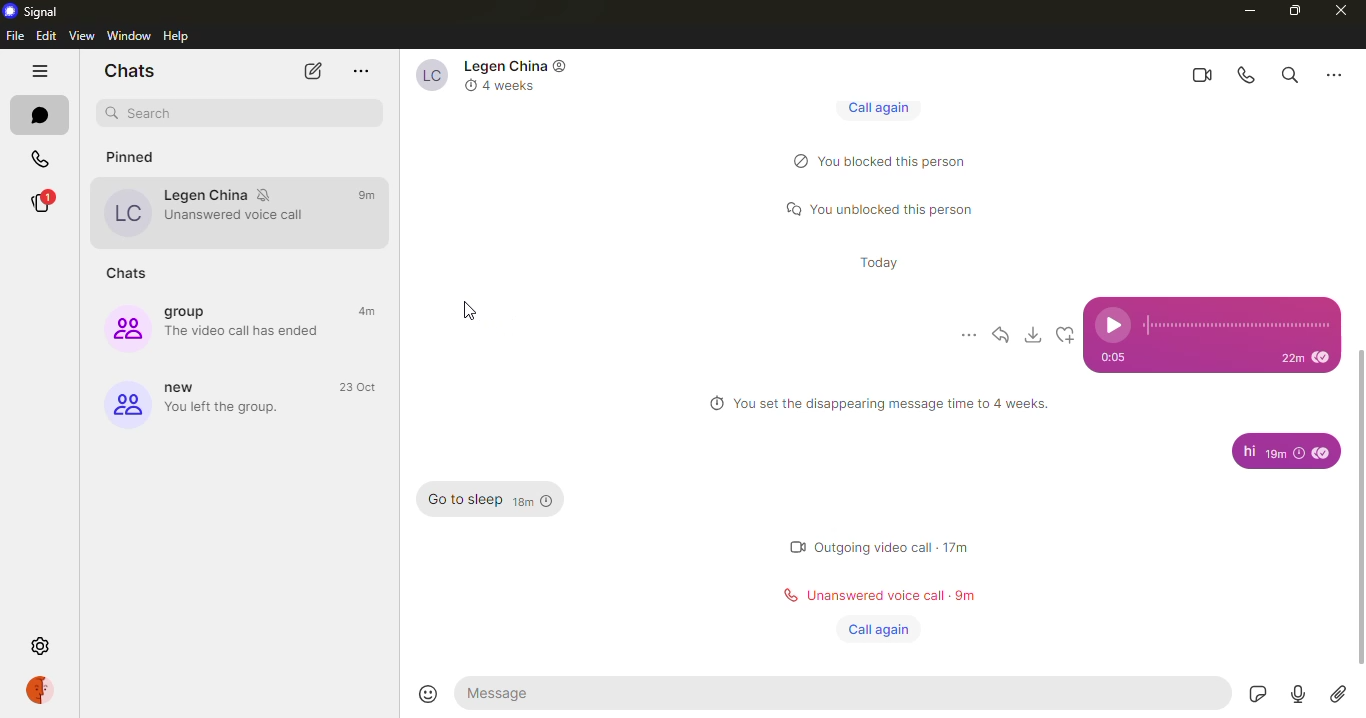 The height and width of the screenshot is (718, 1366). What do you see at coordinates (968, 332) in the screenshot?
I see `option` at bounding box center [968, 332].